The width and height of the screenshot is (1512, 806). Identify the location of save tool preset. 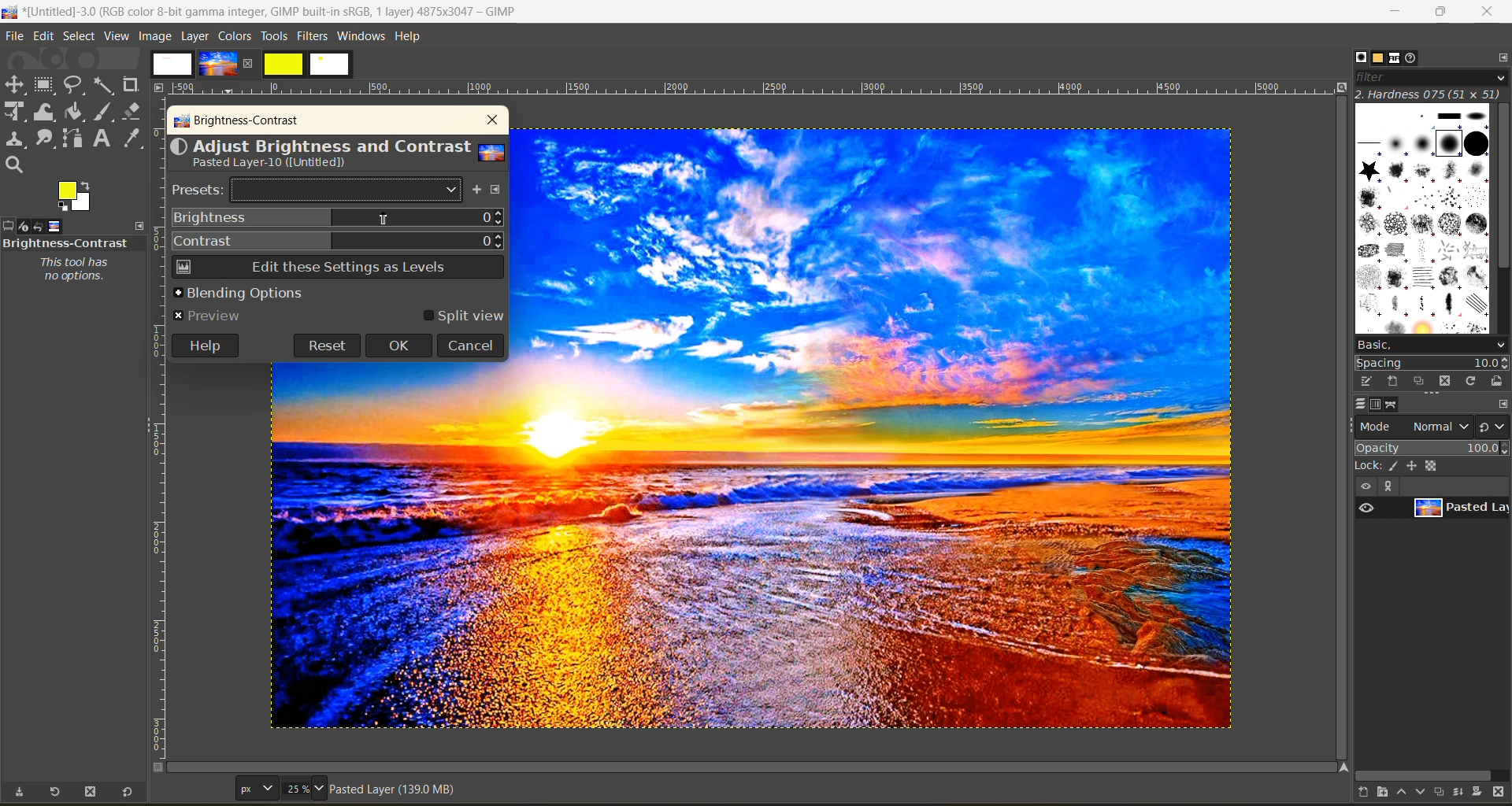
(19, 792).